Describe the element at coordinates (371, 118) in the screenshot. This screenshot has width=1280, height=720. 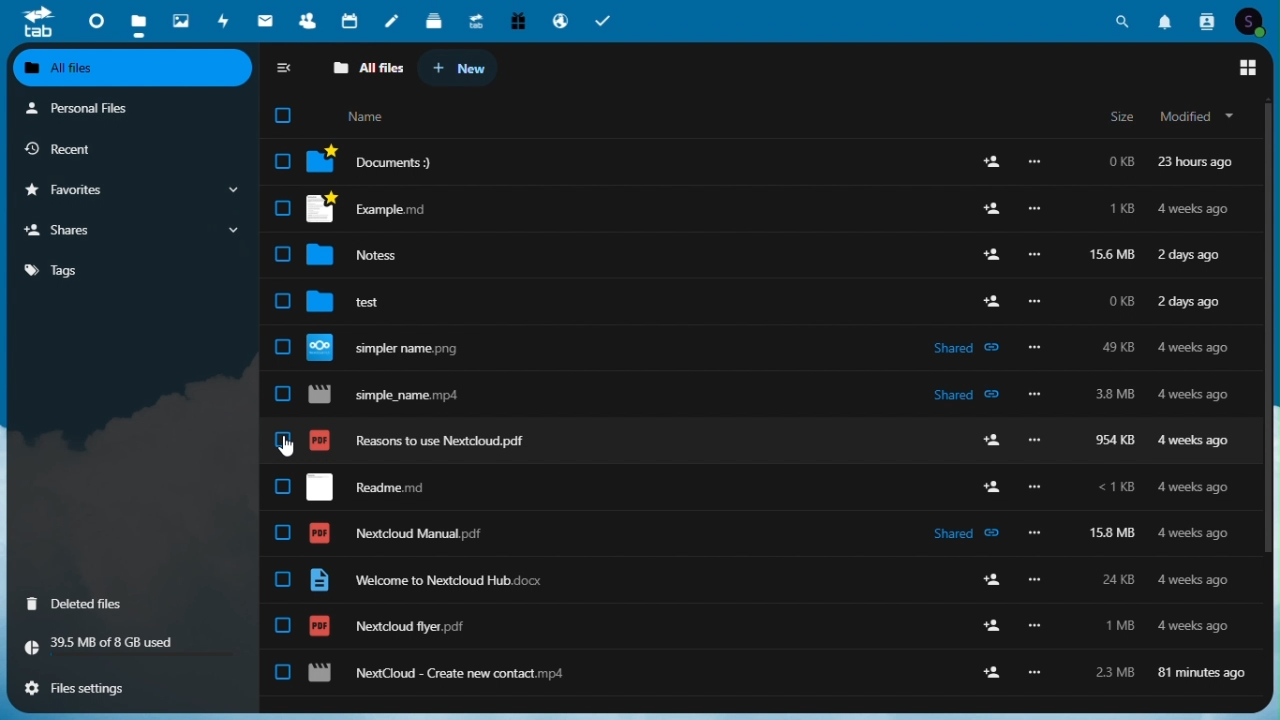
I see `name` at that location.